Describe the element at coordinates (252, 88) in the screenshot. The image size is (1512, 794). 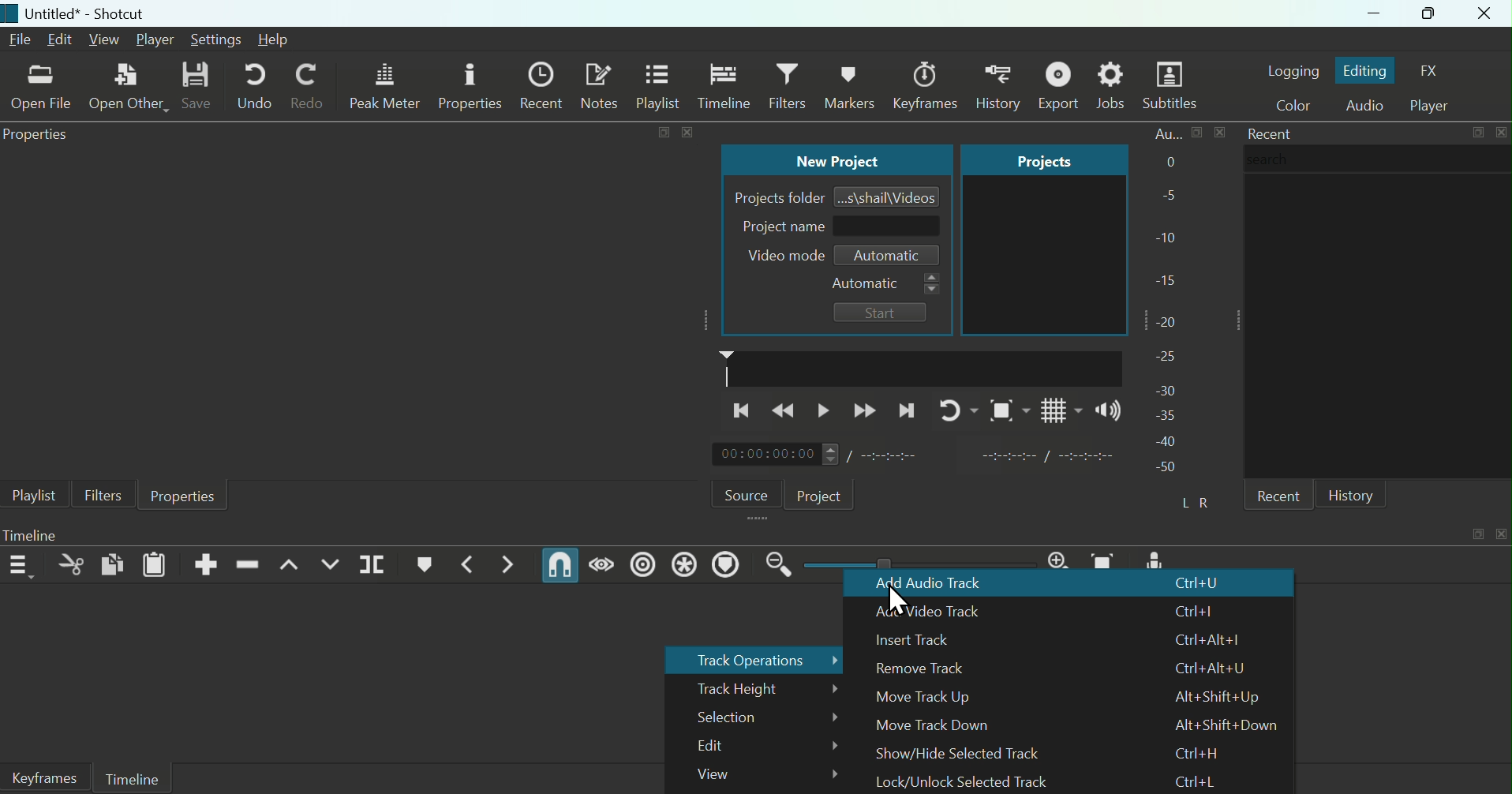
I see `Undo` at that location.